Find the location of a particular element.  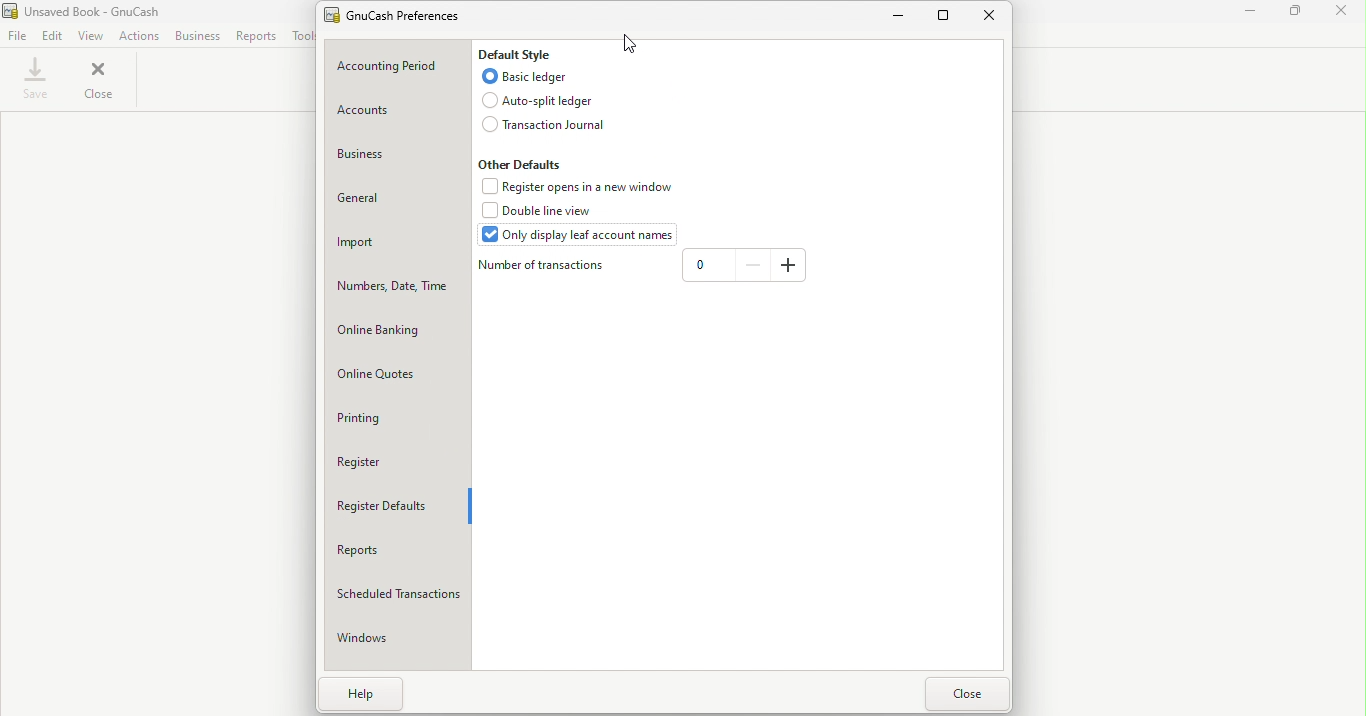

Close is located at coordinates (102, 82).